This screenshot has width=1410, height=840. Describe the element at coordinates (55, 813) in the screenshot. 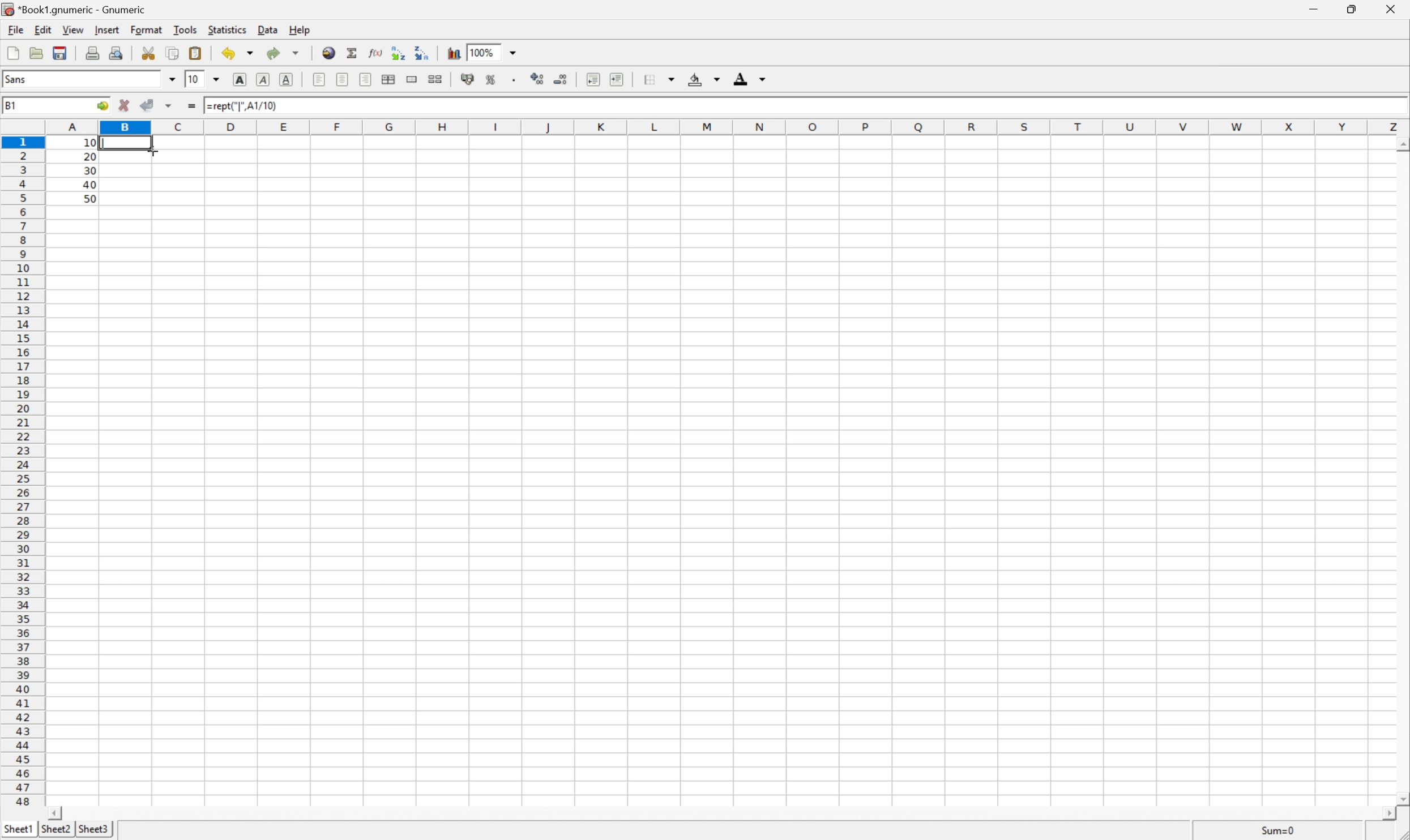

I see `Scroll Left` at that location.